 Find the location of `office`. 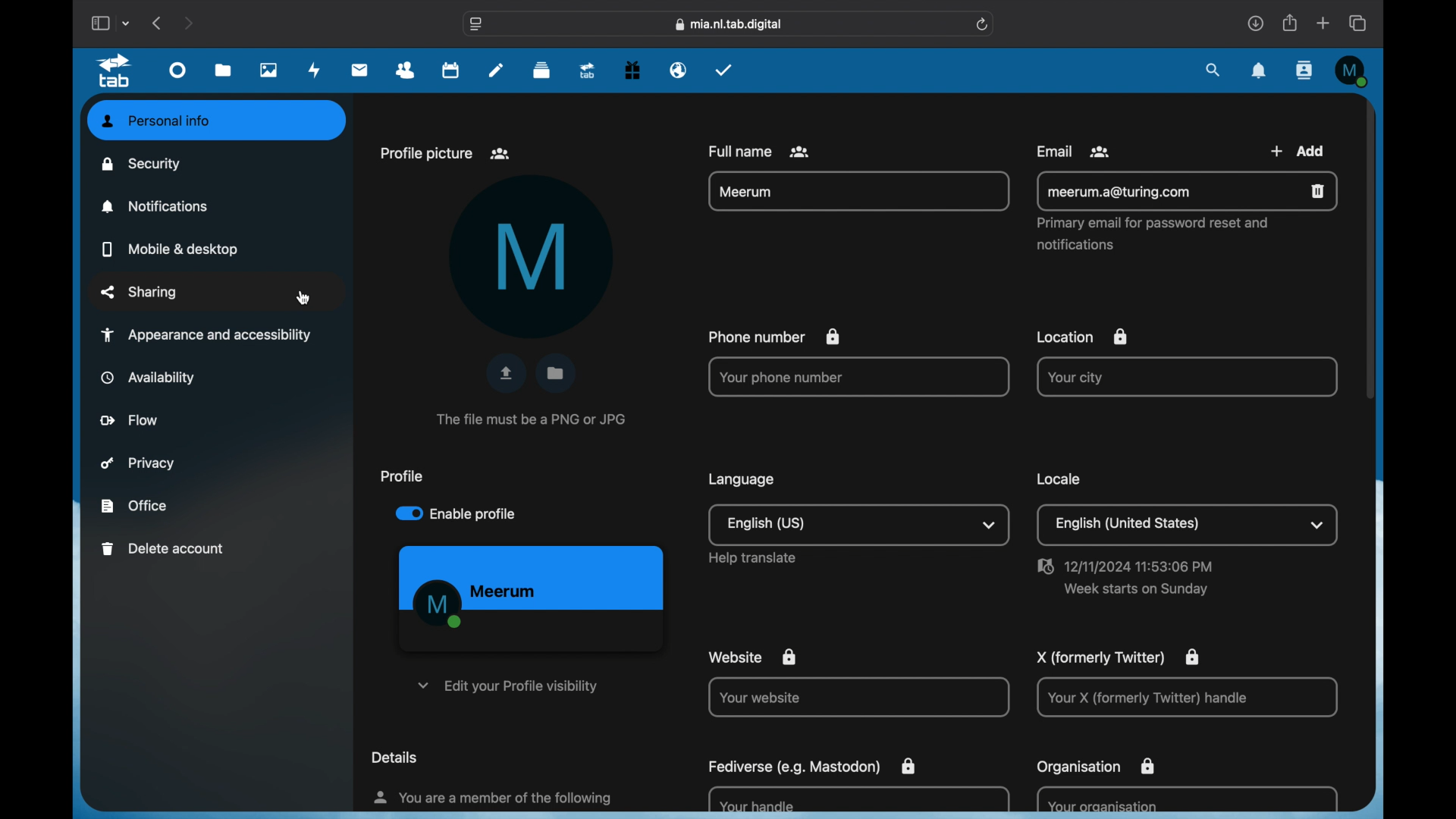

office is located at coordinates (133, 506).